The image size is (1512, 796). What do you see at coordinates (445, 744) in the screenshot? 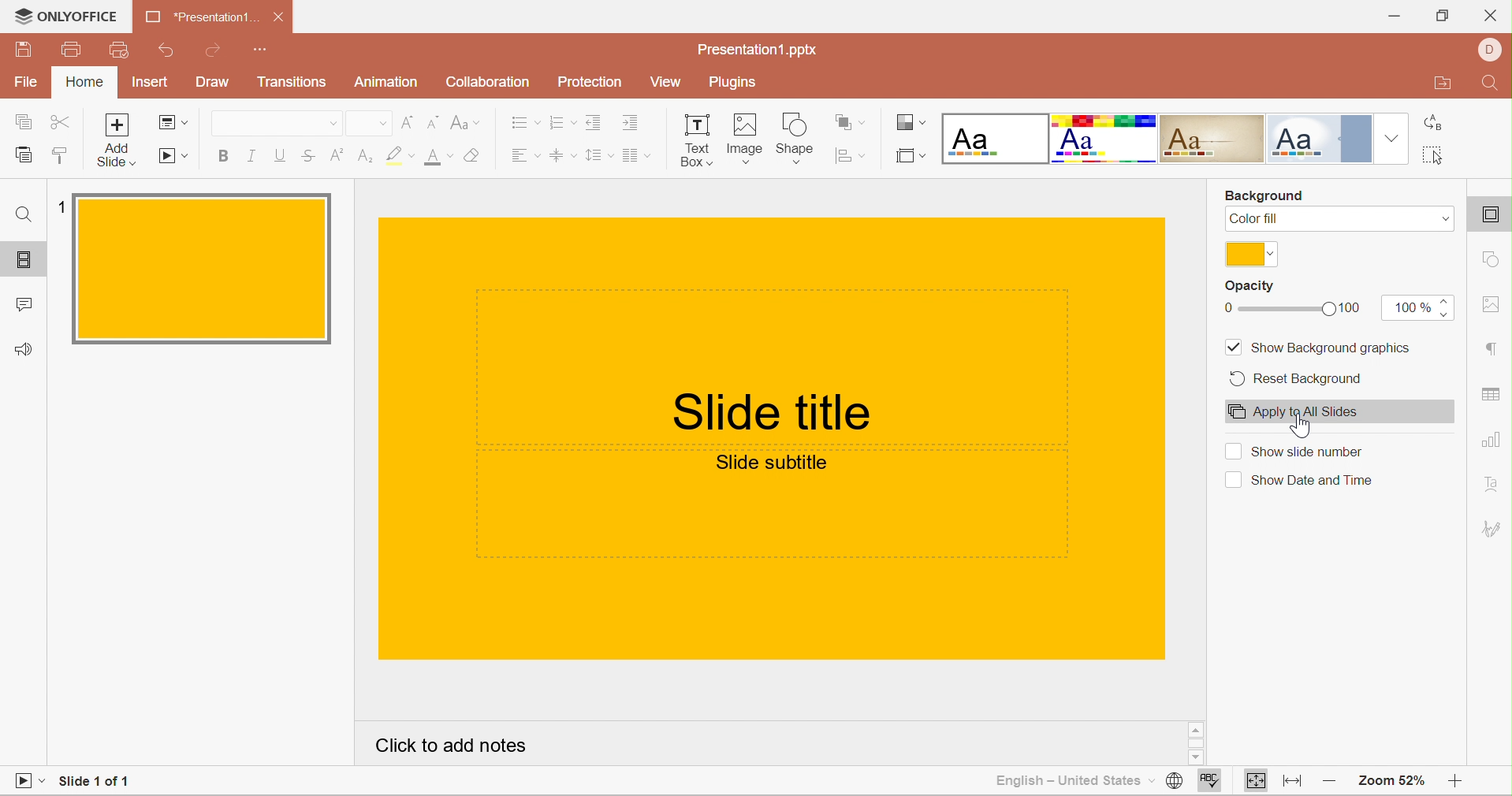
I see `Click to add notes` at bounding box center [445, 744].